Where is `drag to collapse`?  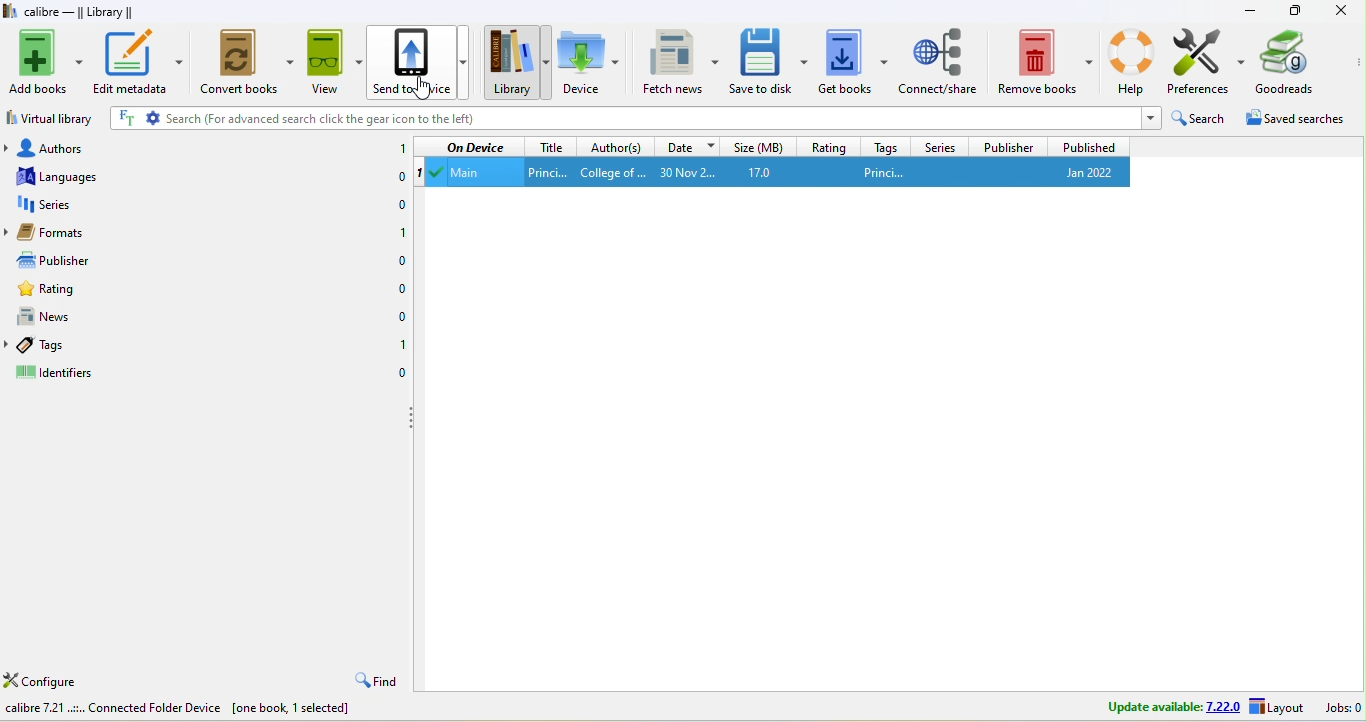 drag to collapse is located at coordinates (408, 422).